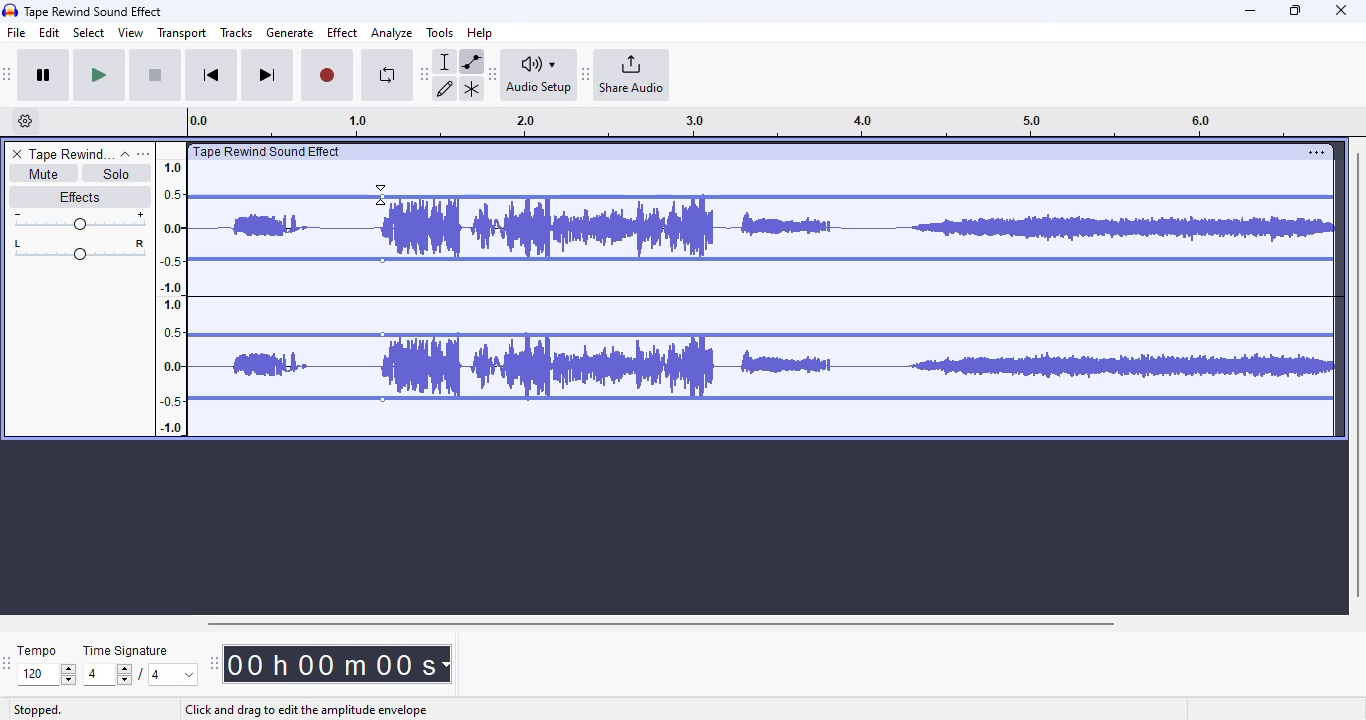  Describe the element at coordinates (382, 335) in the screenshot. I see `Control point` at that location.